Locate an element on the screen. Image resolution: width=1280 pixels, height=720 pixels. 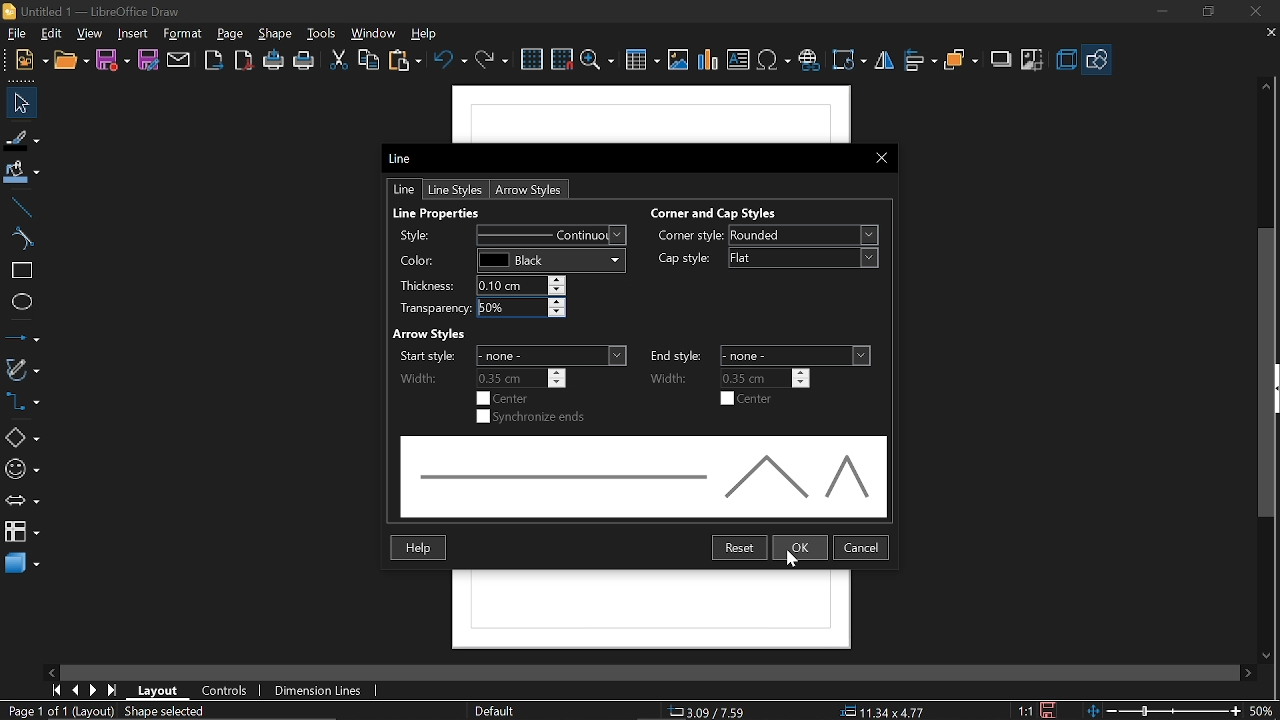
Style is located at coordinates (505, 235).